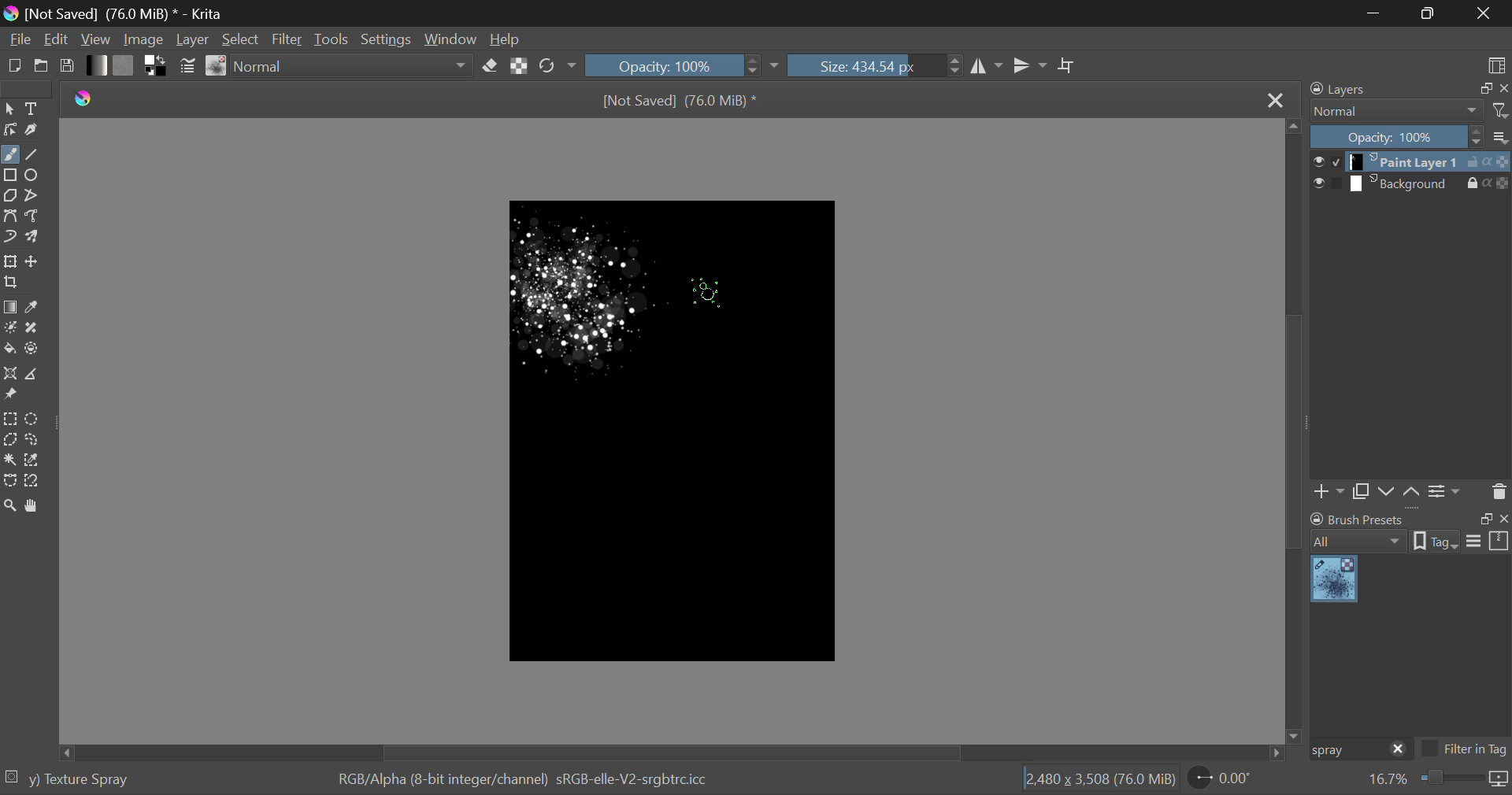 This screenshot has height=795, width=1512. Describe the element at coordinates (84, 99) in the screenshot. I see `logo` at that location.